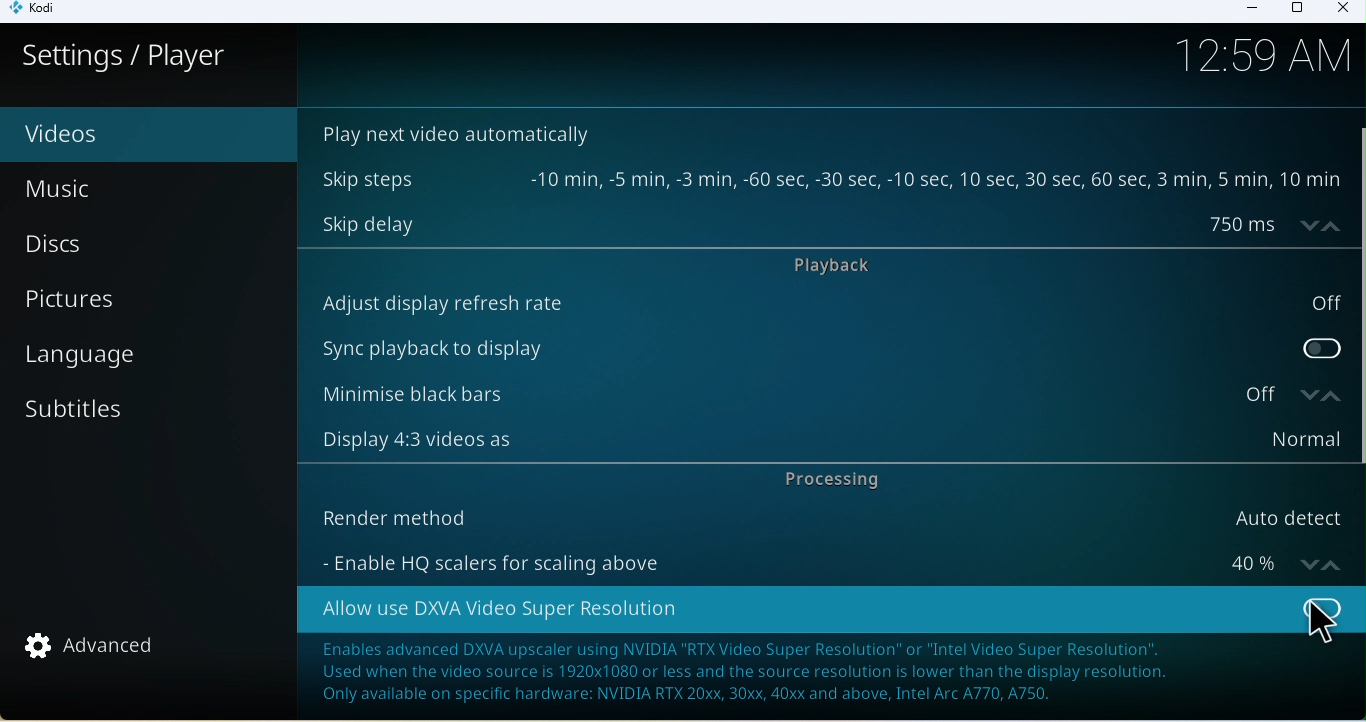 Image resolution: width=1366 pixels, height=722 pixels. I want to click on Video, so click(115, 135).